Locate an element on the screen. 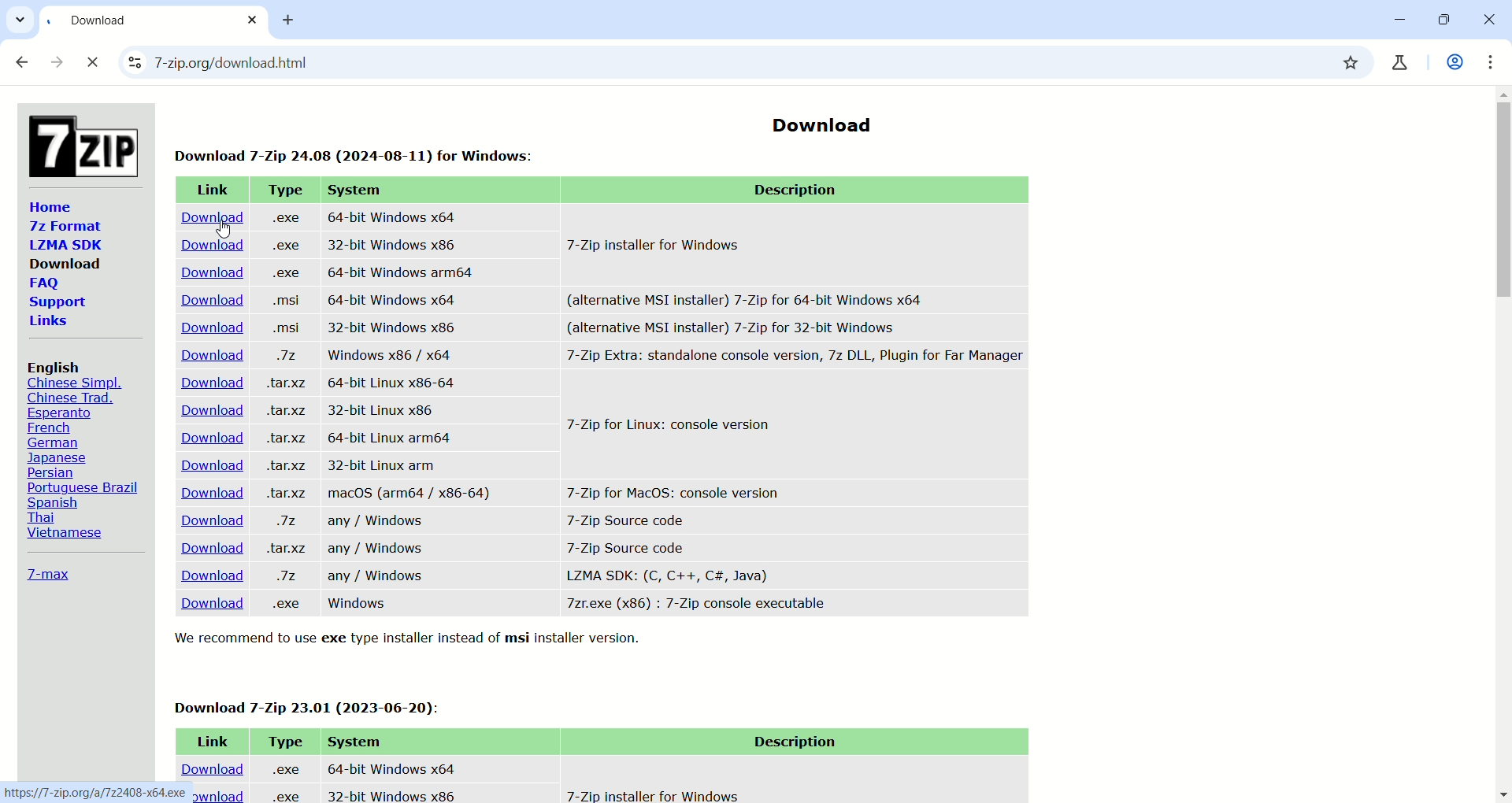 The image size is (1512, 803). search tab is located at coordinates (20, 22).